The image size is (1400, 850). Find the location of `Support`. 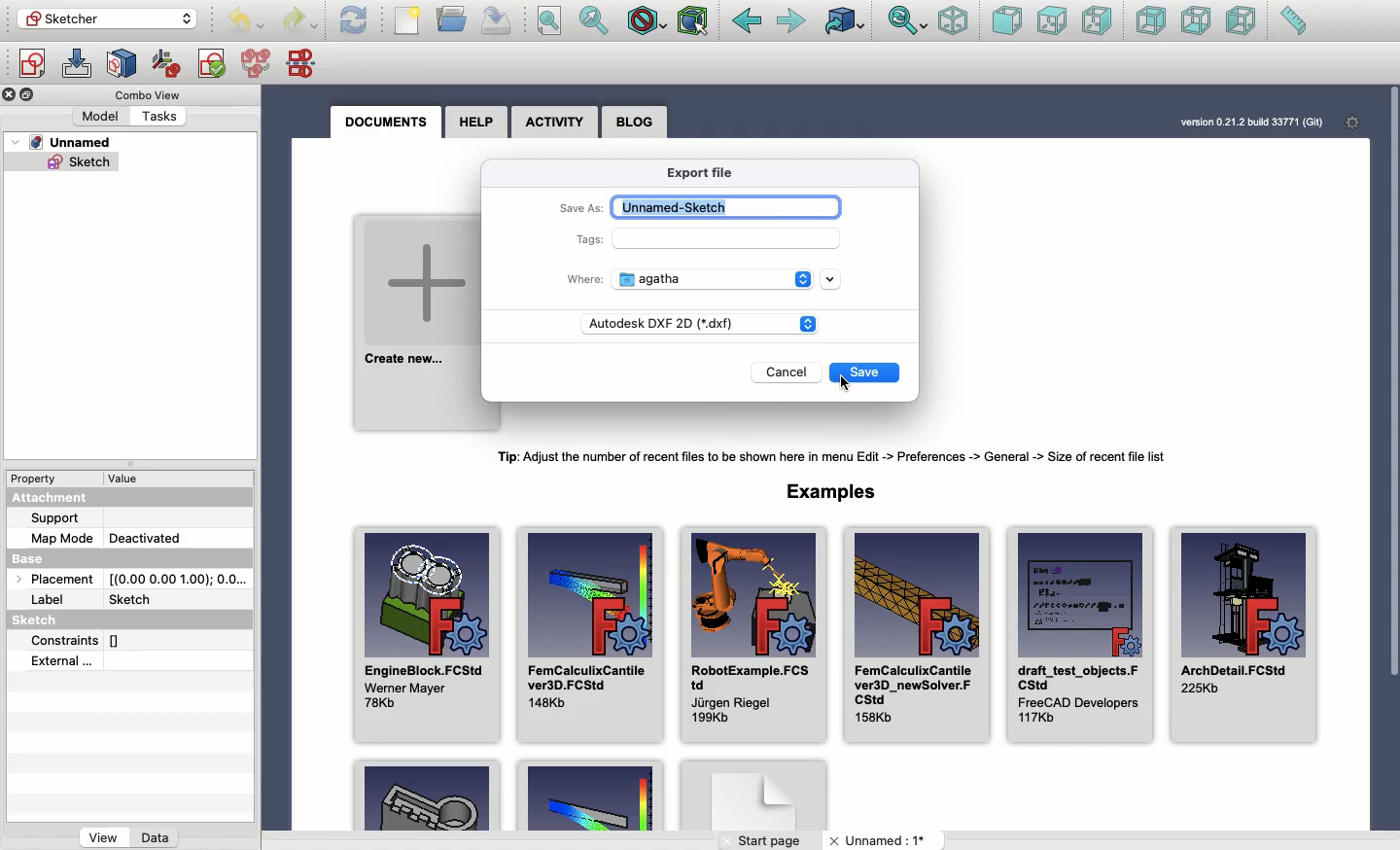

Support is located at coordinates (60, 517).